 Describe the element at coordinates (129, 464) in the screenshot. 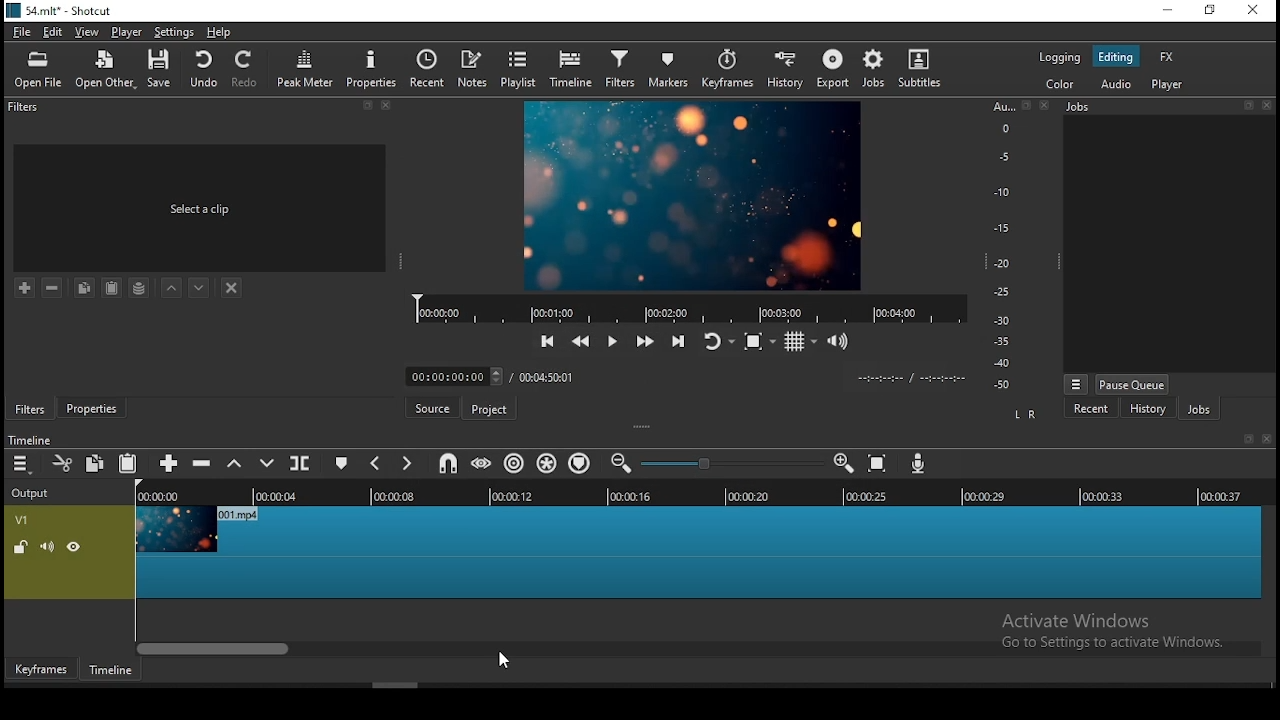

I see `paste` at that location.